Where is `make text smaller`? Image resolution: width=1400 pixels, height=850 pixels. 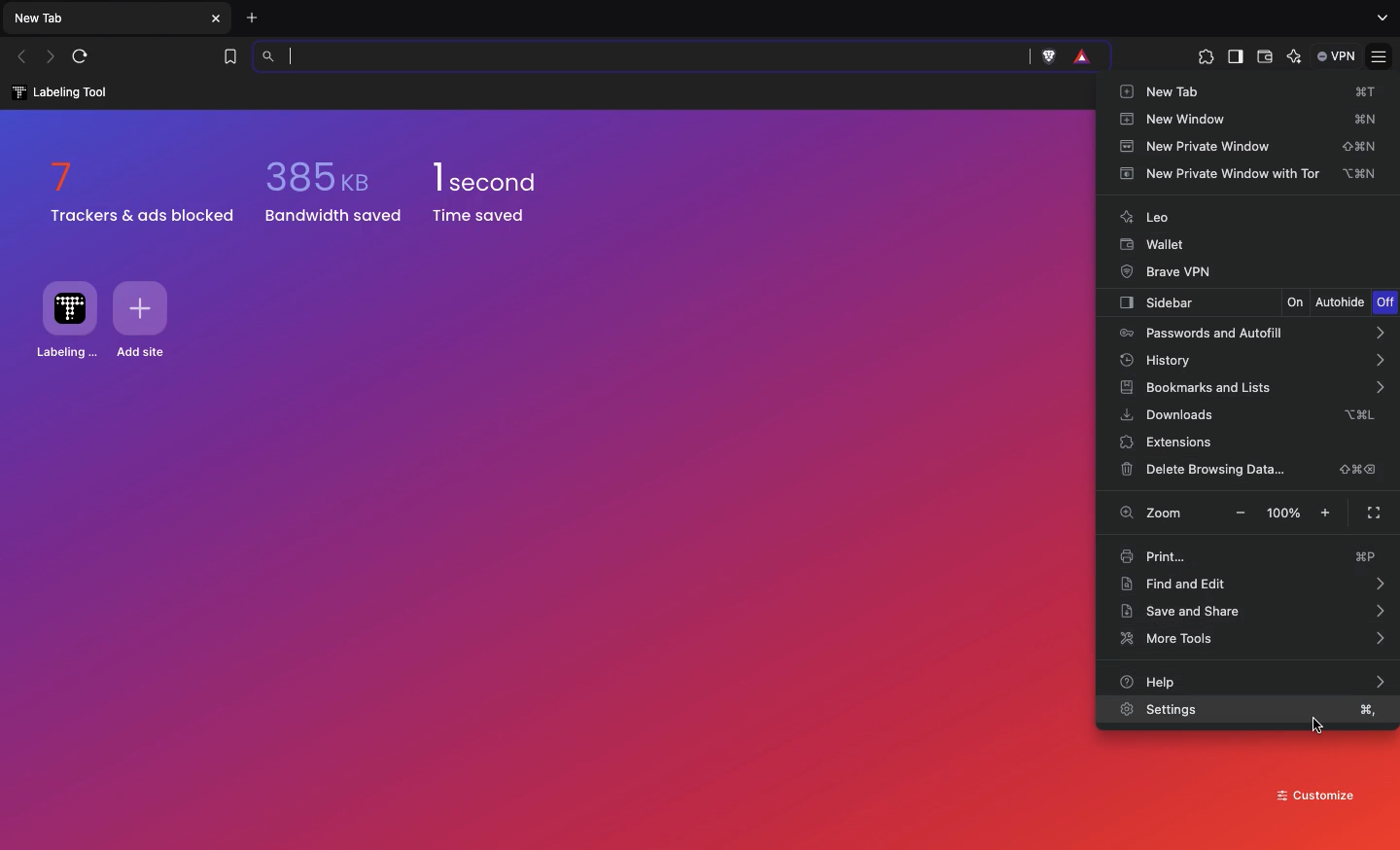
make text smaller is located at coordinates (1238, 513).